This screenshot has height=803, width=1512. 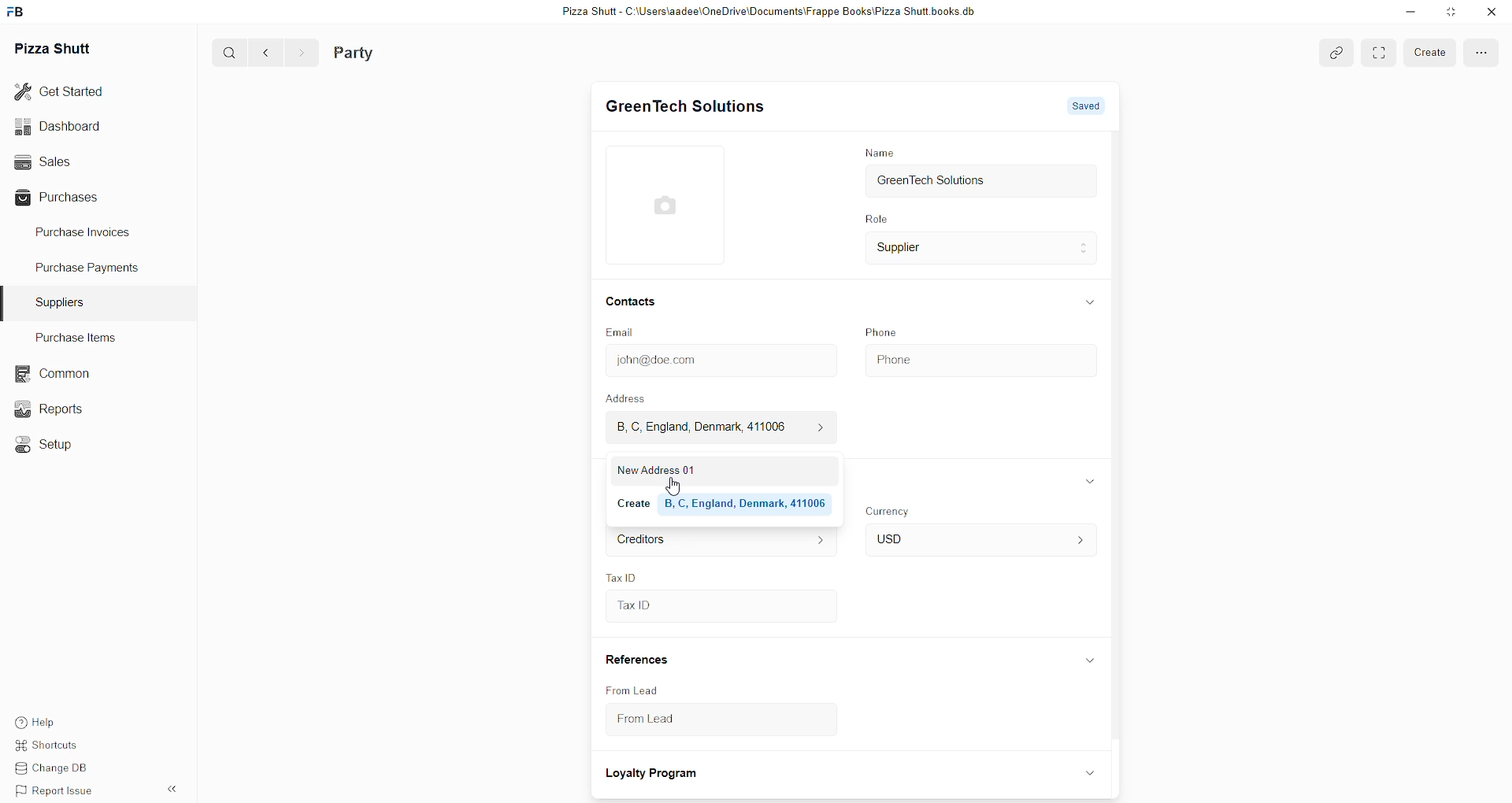 What do you see at coordinates (20, 13) in the screenshot?
I see `frappe books` at bounding box center [20, 13].